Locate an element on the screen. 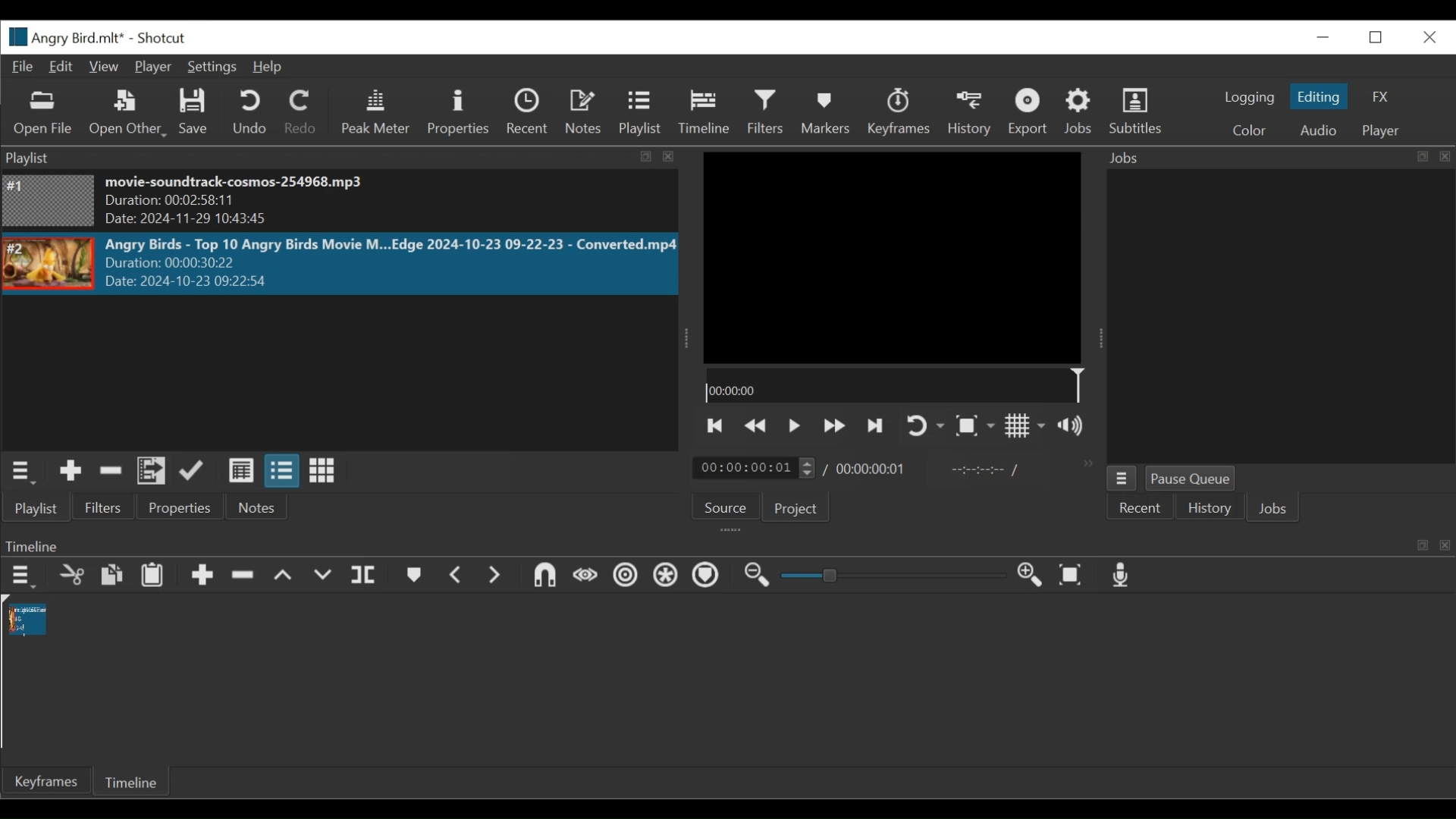 This screenshot has width=1456, height=819. Angry Birds - Top 10 Angry Birds Movie M...Edge 2024-10-23 09-22-23 - Converted.mp4Duration: 00:00:30:22 Date: 2024-10-23 09:22>5 is located at coordinates (390, 264).